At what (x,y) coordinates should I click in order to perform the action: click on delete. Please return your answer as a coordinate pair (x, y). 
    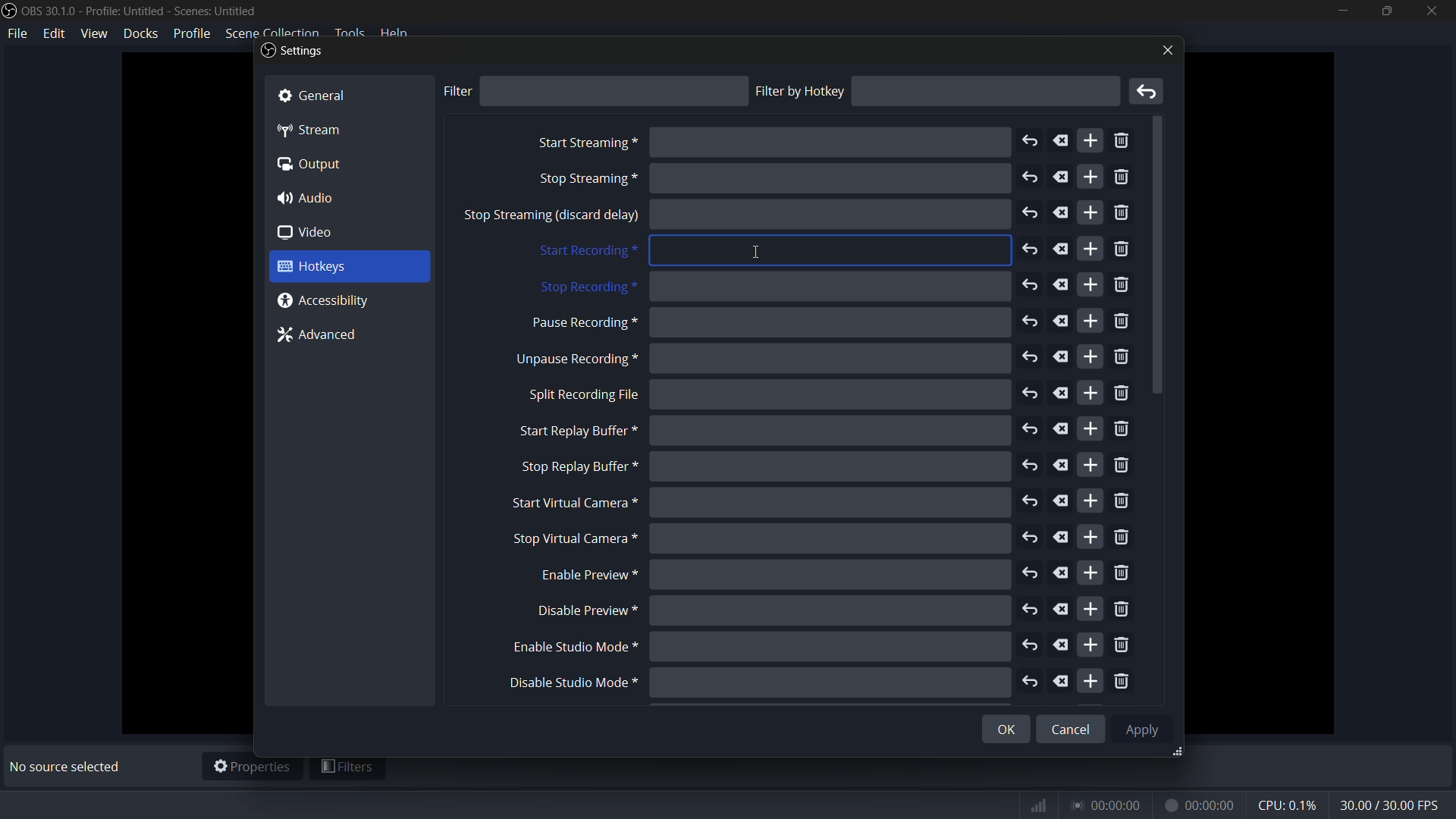
    Looking at the image, I should click on (1062, 428).